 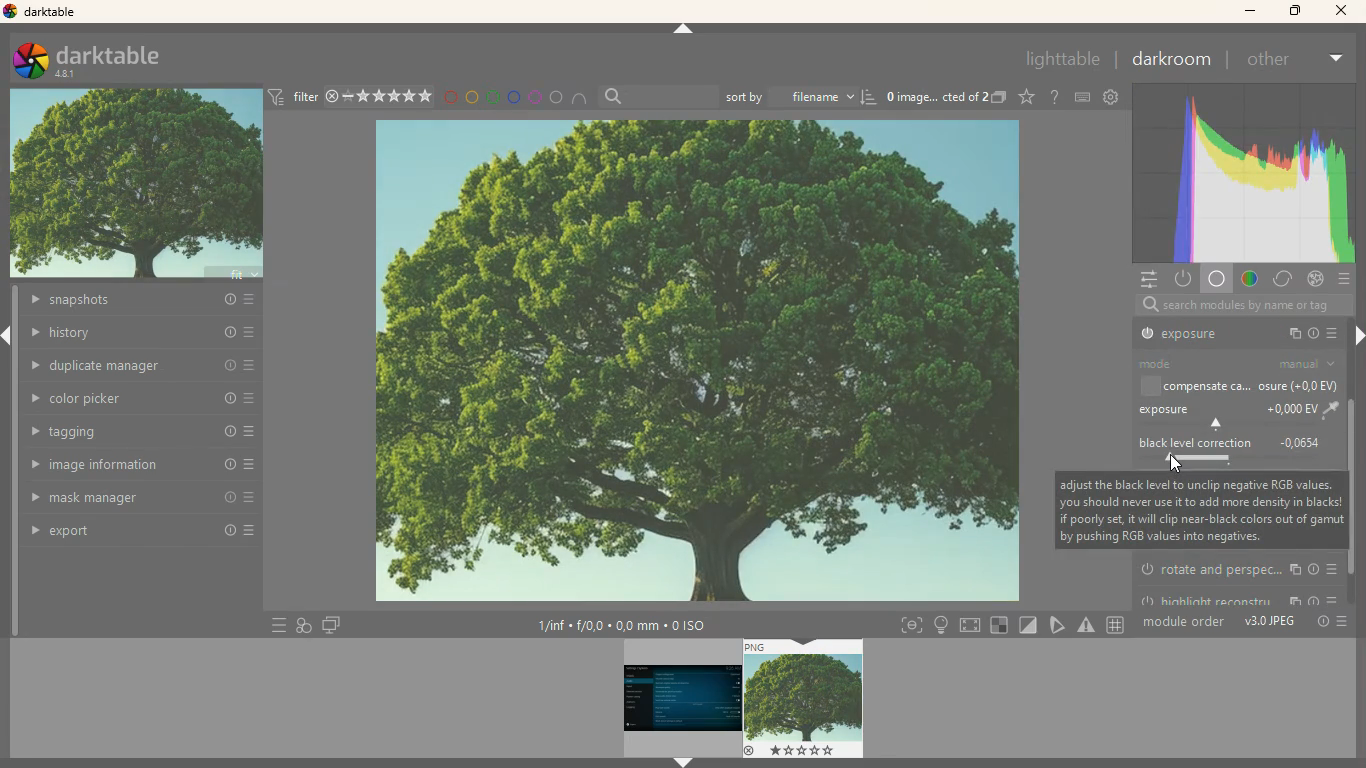 What do you see at coordinates (1239, 387) in the screenshot?
I see `compensate` at bounding box center [1239, 387].